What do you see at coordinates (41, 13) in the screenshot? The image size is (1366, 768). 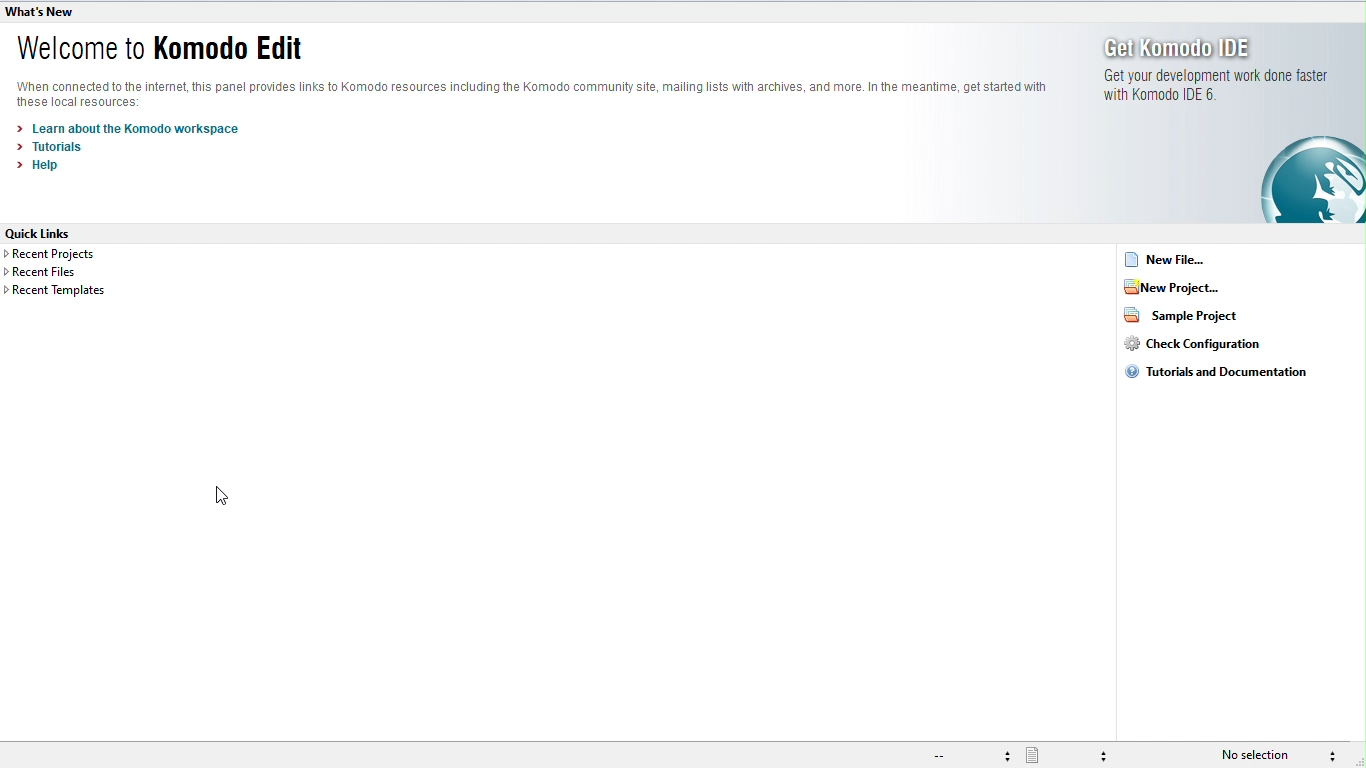 I see `what's new` at bounding box center [41, 13].